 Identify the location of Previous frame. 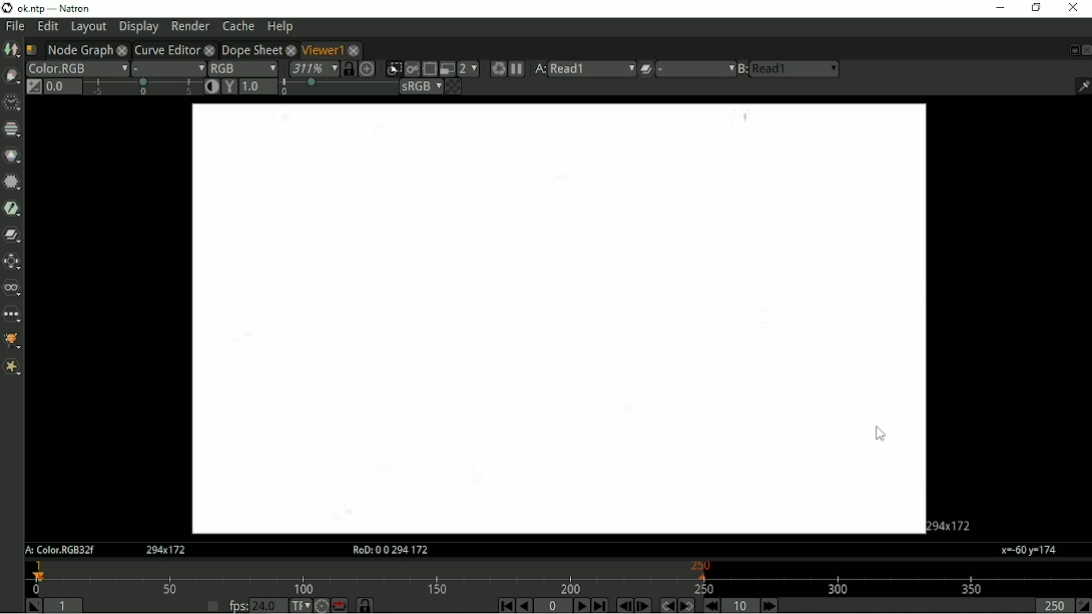
(624, 606).